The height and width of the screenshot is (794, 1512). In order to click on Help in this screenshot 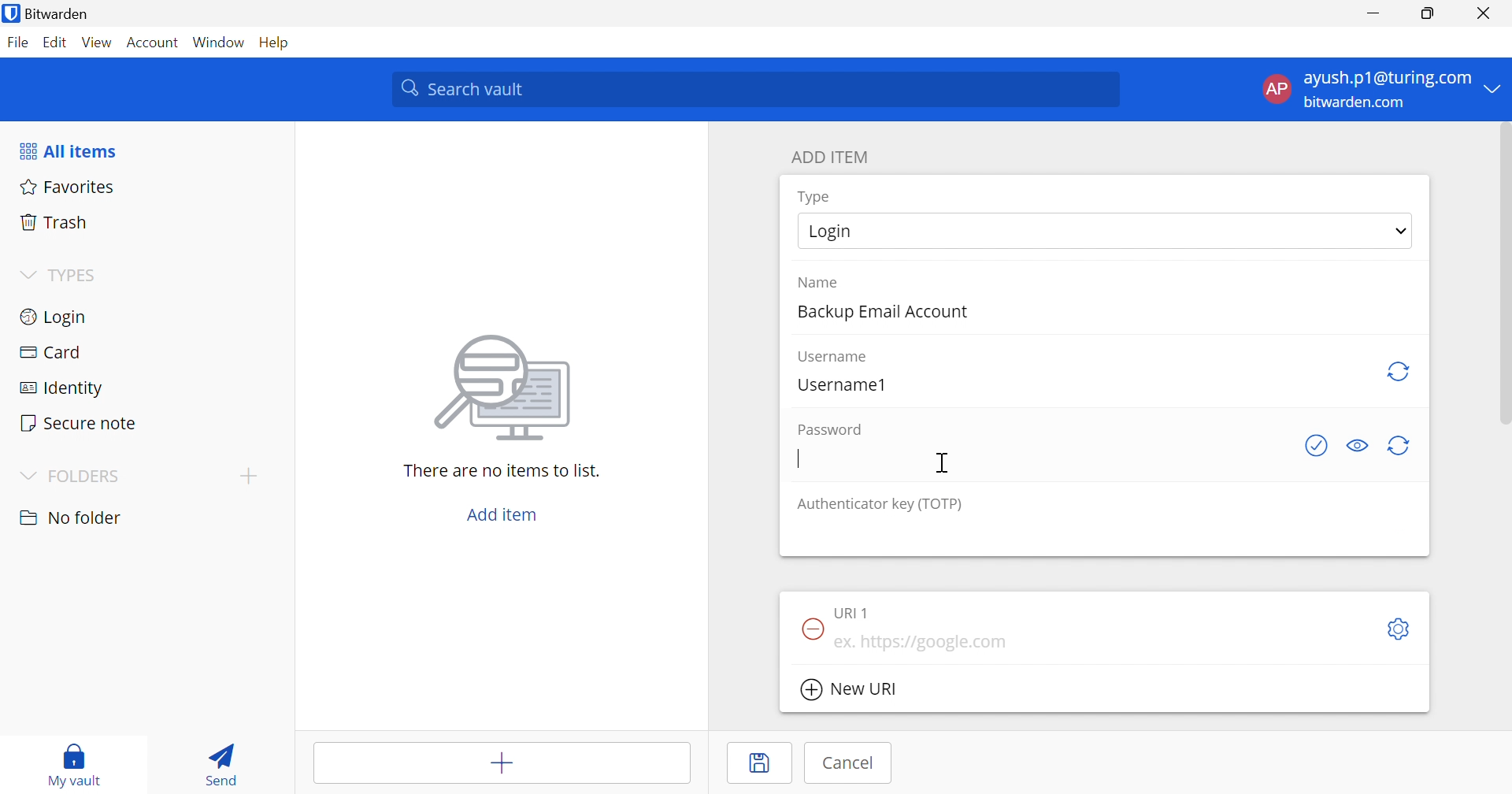, I will do `click(272, 42)`.